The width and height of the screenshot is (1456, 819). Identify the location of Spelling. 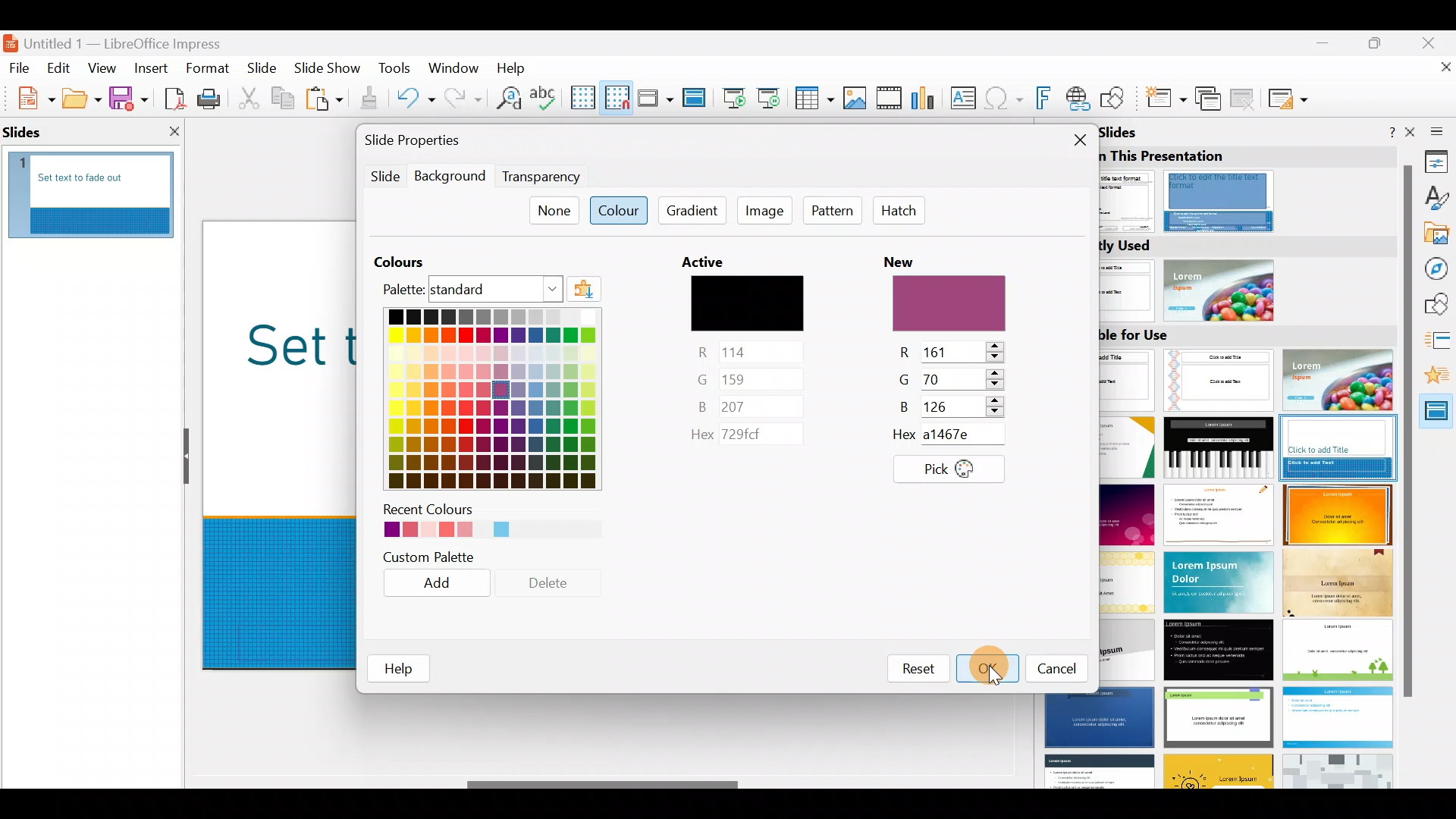
(545, 97).